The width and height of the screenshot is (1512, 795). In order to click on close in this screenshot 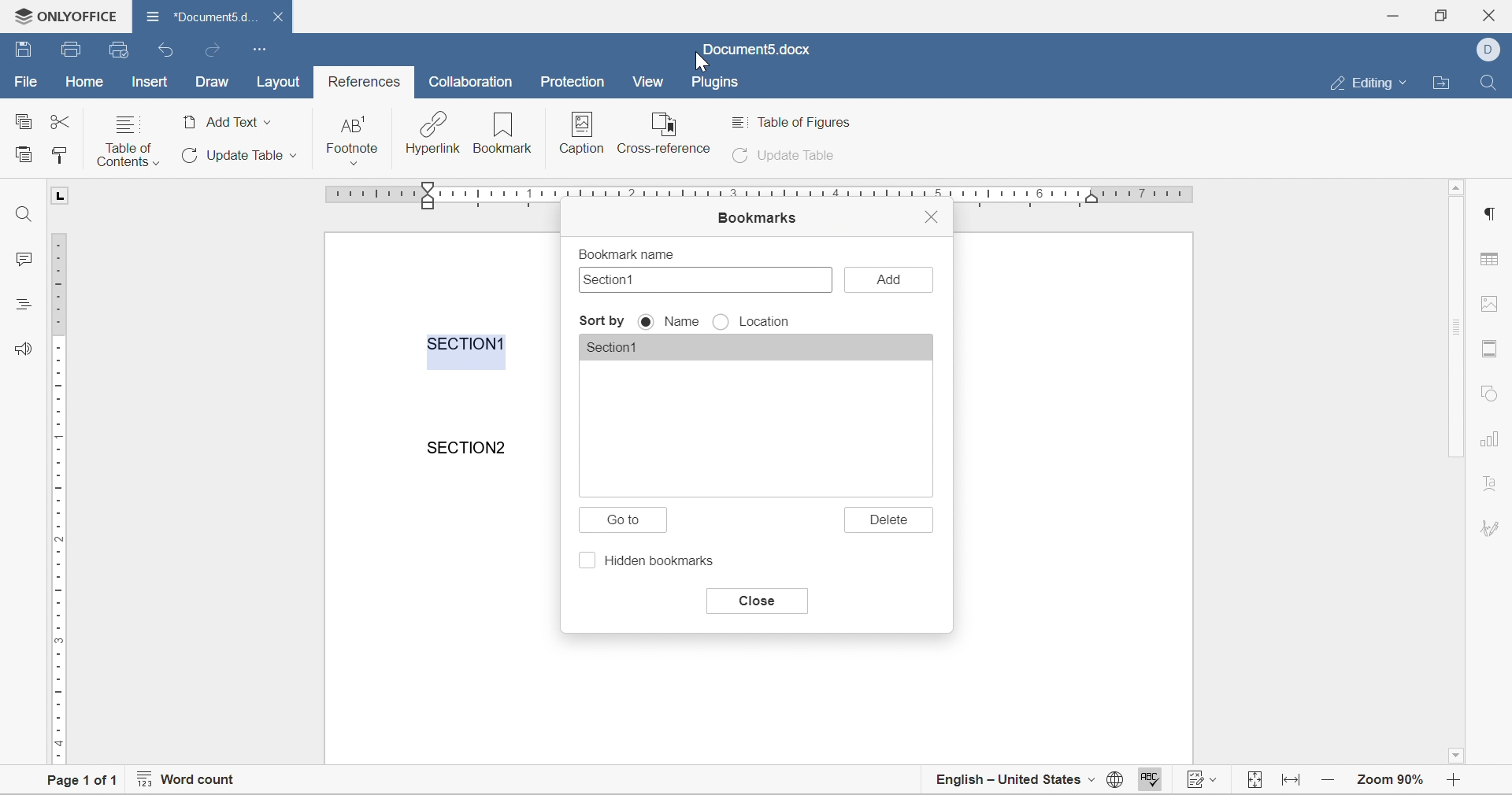, I will do `click(755, 601)`.